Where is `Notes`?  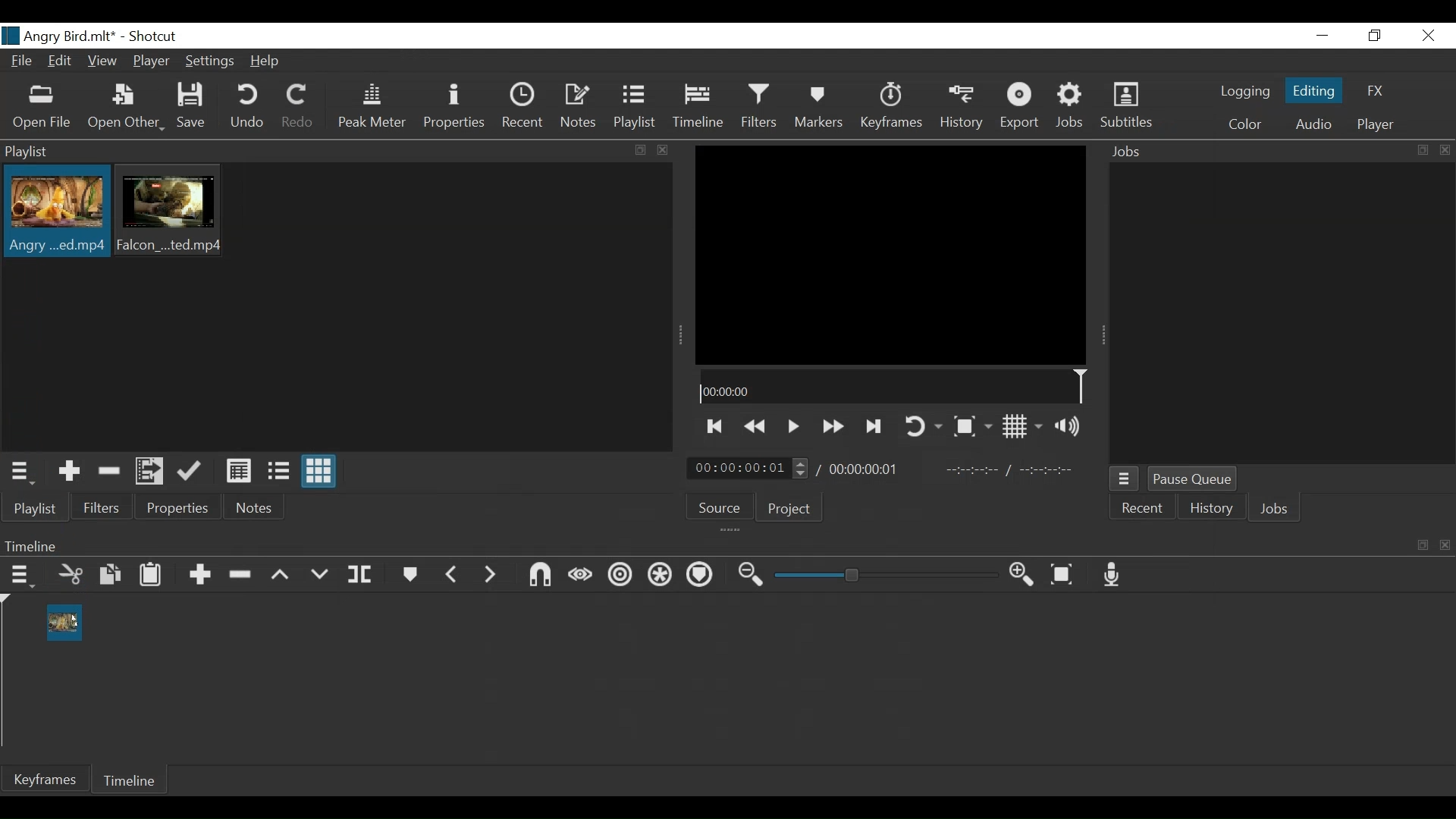 Notes is located at coordinates (253, 507).